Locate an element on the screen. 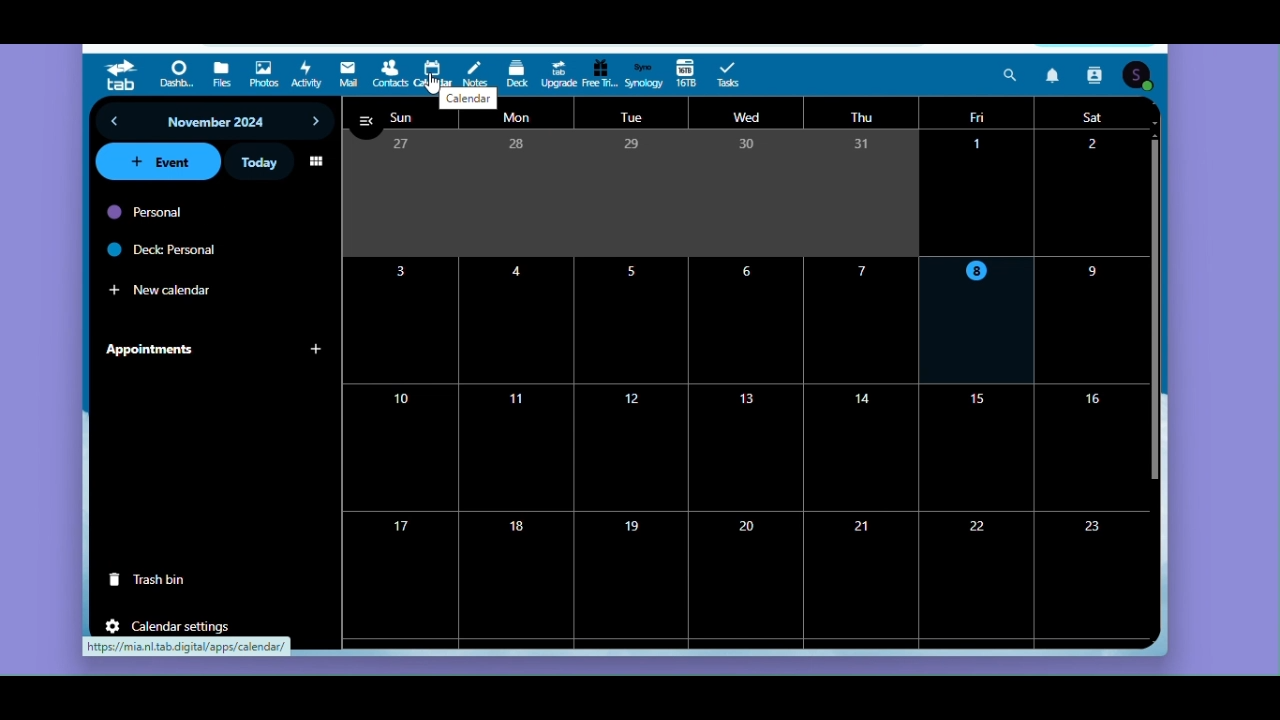  Search is located at coordinates (1010, 75).